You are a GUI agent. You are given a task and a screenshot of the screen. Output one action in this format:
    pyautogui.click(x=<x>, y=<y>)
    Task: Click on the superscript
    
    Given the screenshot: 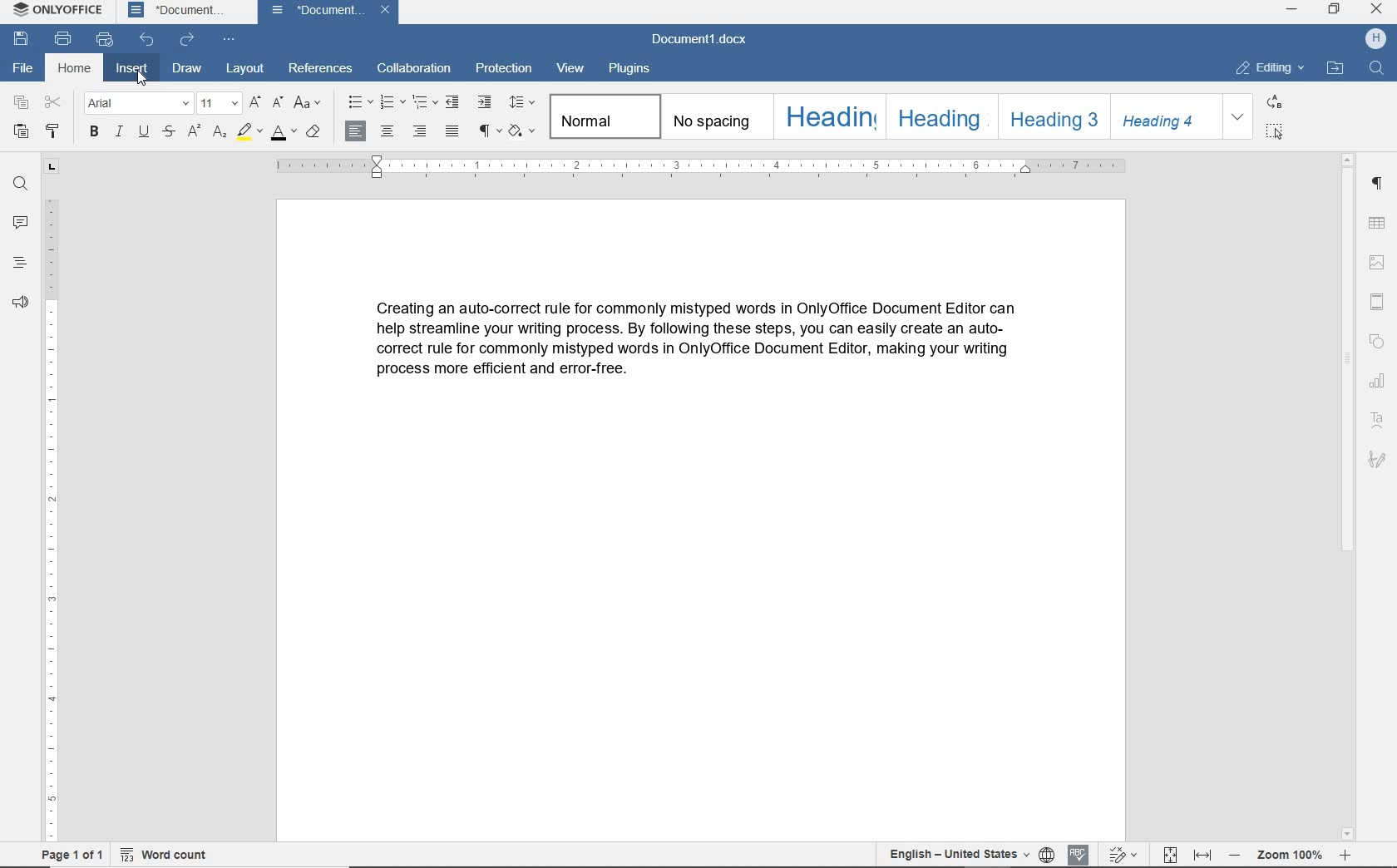 What is the action you would take?
    pyautogui.click(x=195, y=132)
    